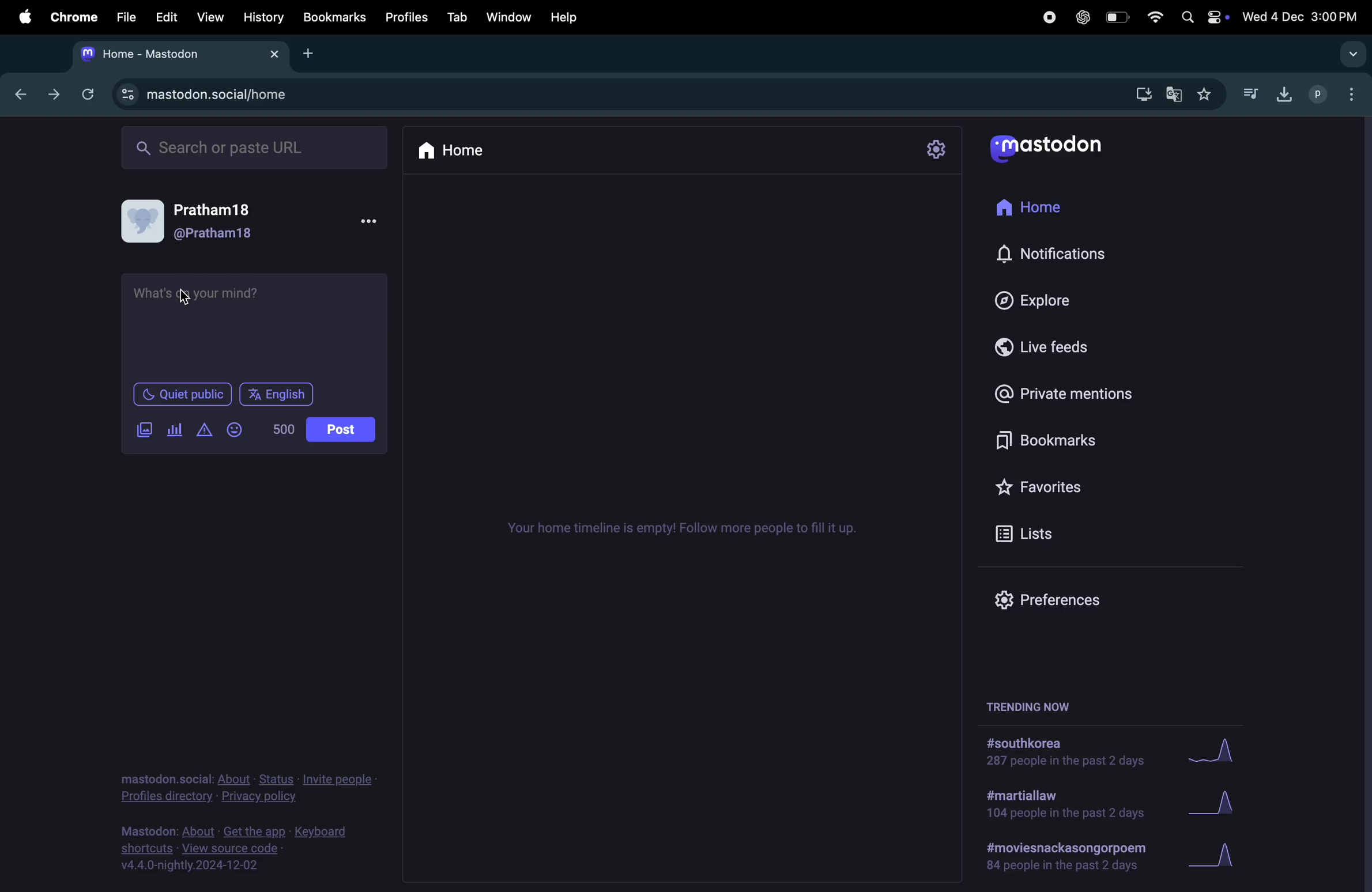  I want to click on history, so click(265, 18).